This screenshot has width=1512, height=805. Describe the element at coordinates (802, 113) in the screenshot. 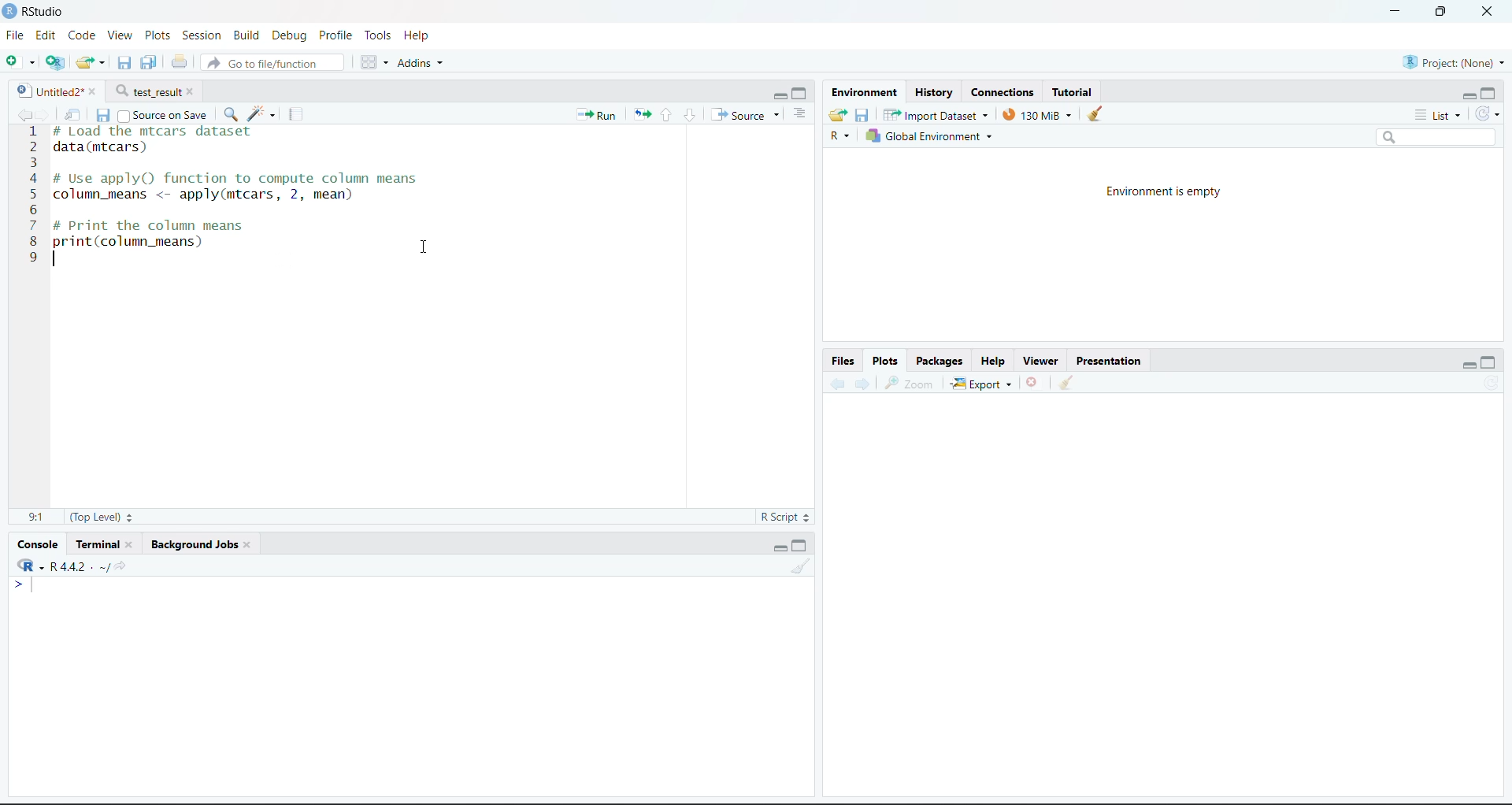

I see `List` at that location.